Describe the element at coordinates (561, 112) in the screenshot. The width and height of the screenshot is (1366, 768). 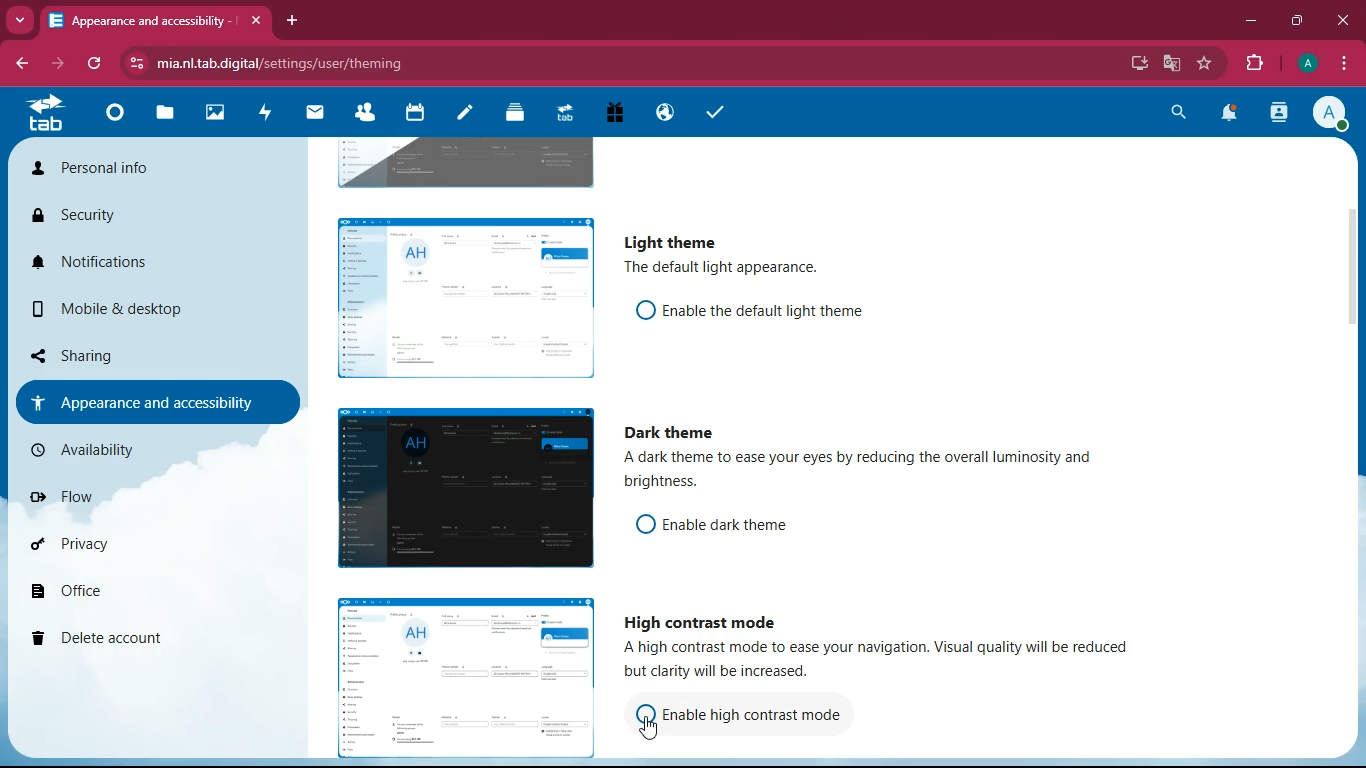
I see `tab` at that location.